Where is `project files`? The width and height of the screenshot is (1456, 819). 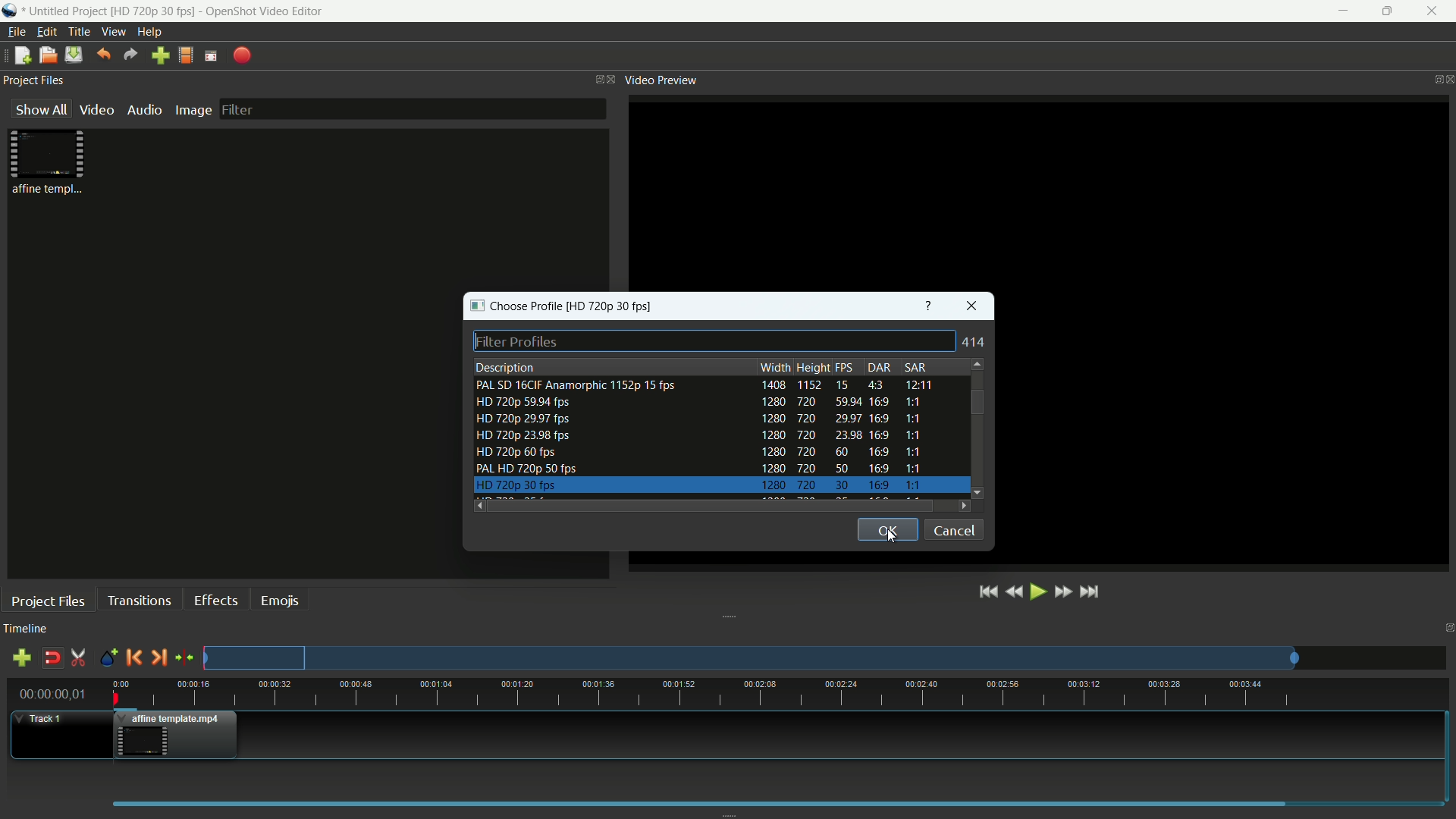
project files is located at coordinates (34, 80).